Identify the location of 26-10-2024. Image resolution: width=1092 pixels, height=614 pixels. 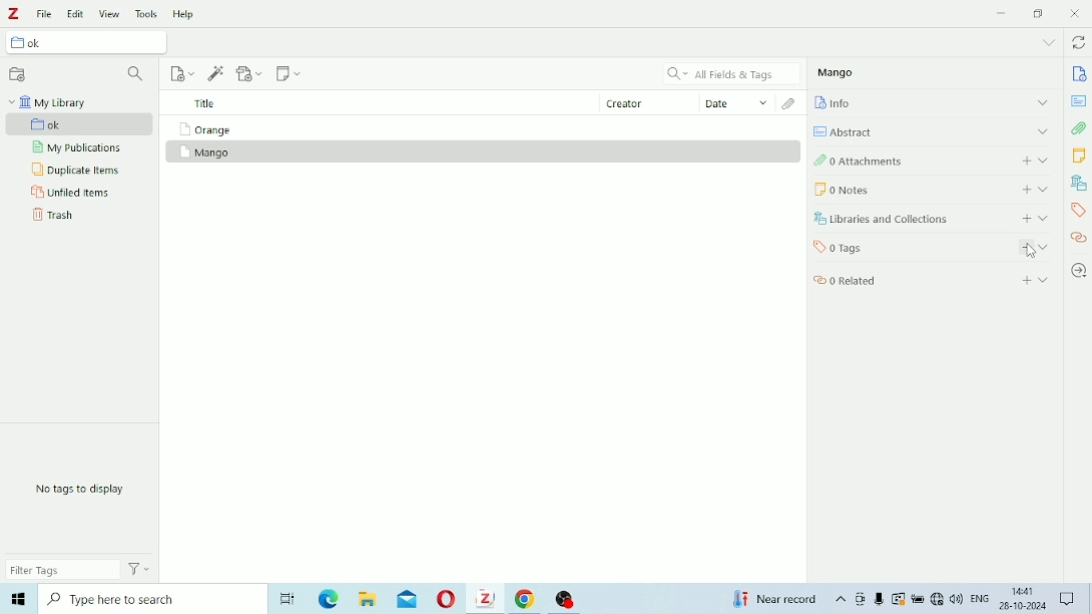
(1026, 608).